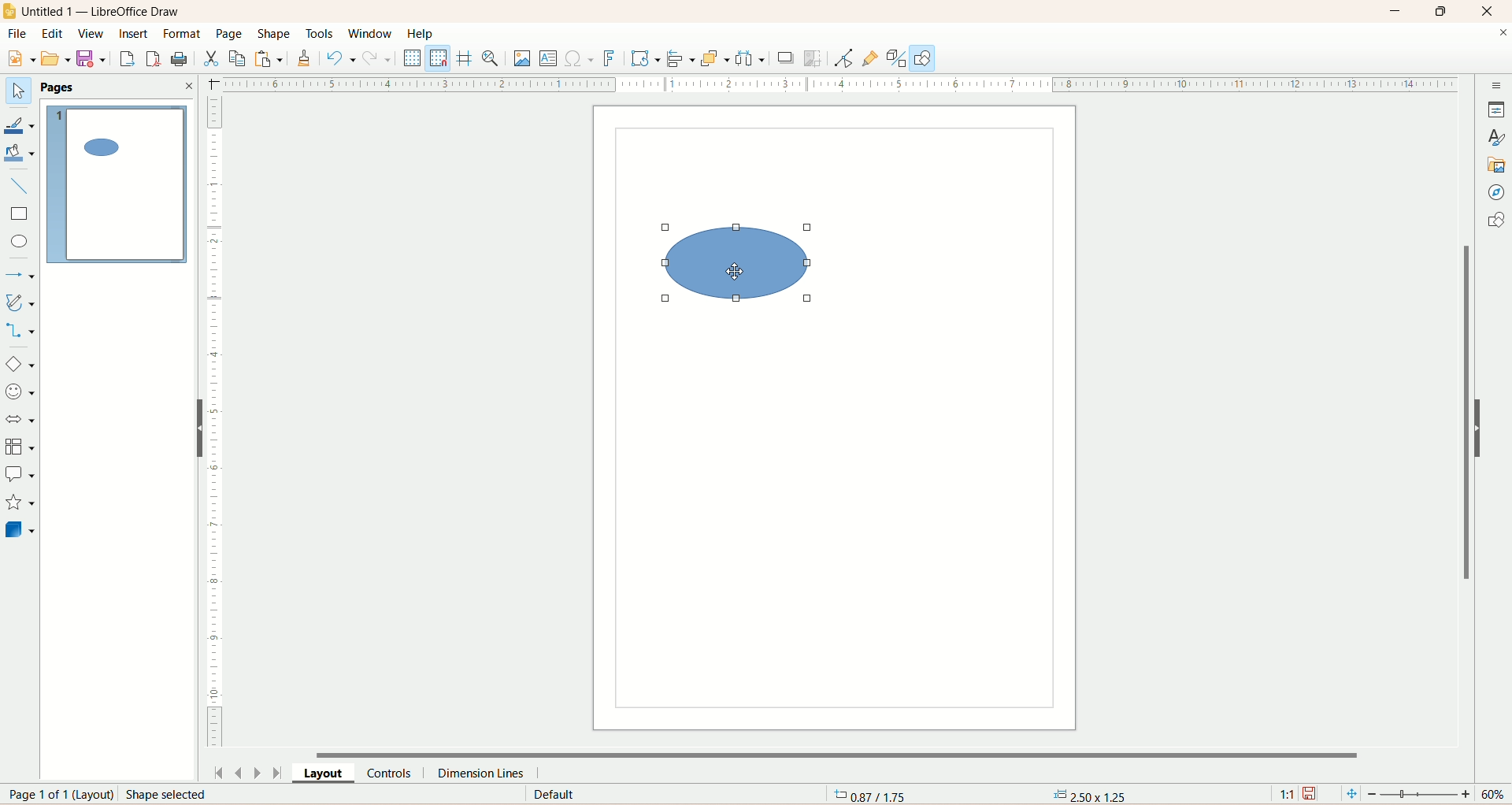  What do you see at coordinates (1440, 11) in the screenshot?
I see `maximize` at bounding box center [1440, 11].